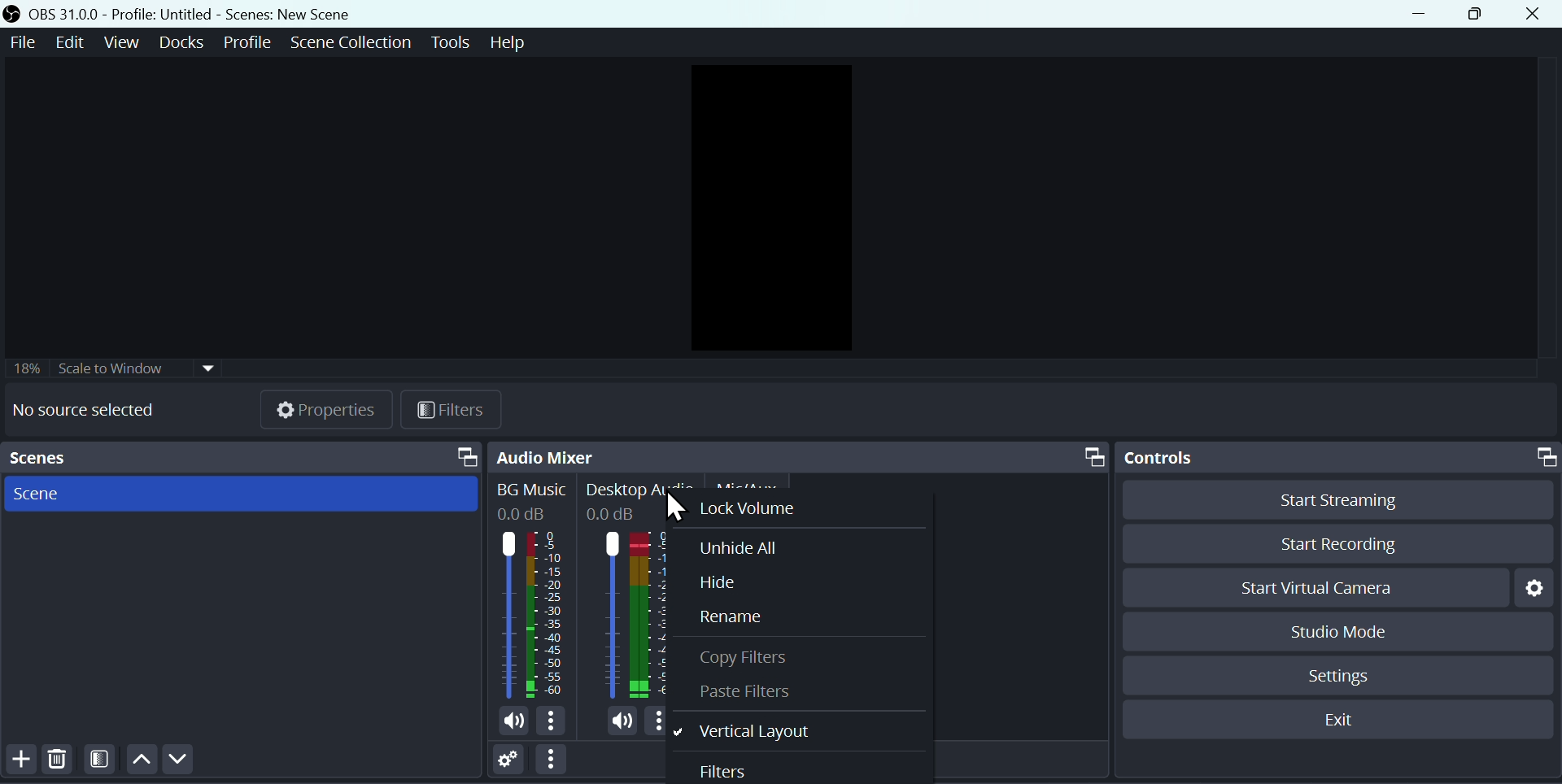  Describe the element at coordinates (752, 695) in the screenshot. I see `Paste filter` at that location.